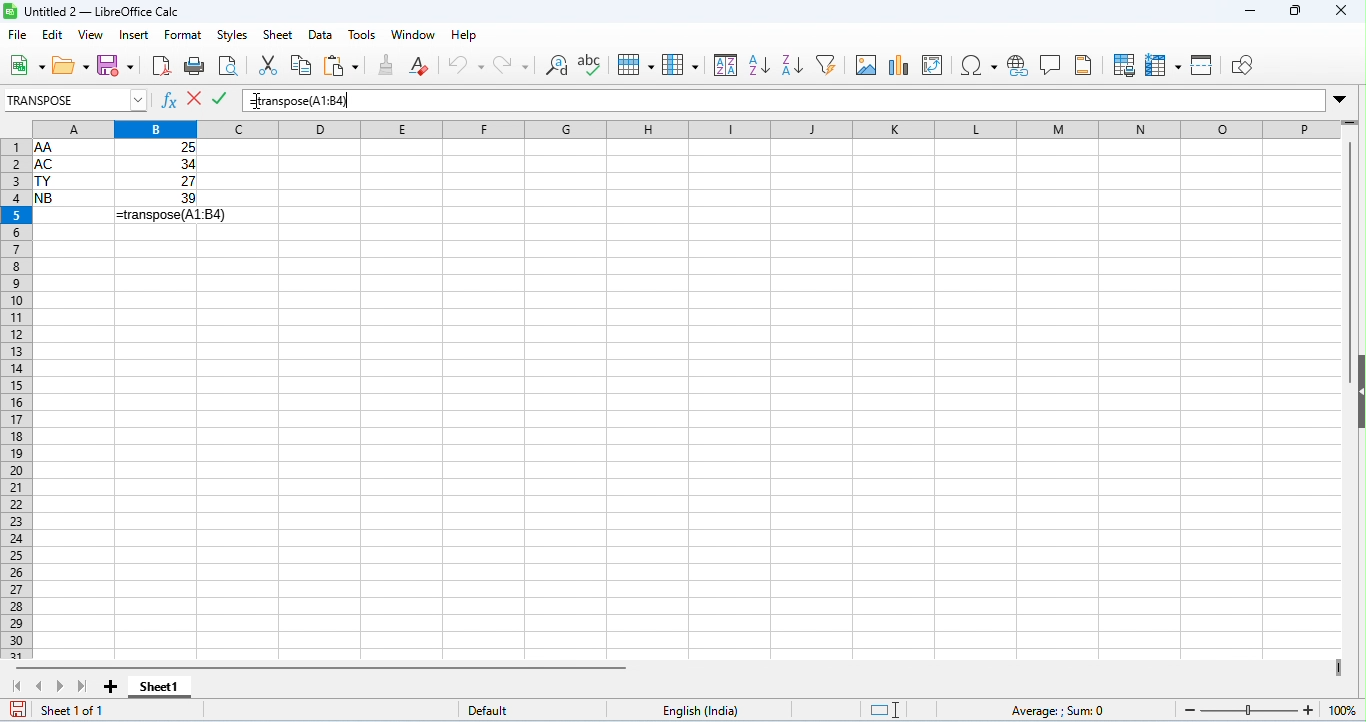 This screenshot has height=722, width=1366. What do you see at coordinates (681, 65) in the screenshot?
I see `column` at bounding box center [681, 65].